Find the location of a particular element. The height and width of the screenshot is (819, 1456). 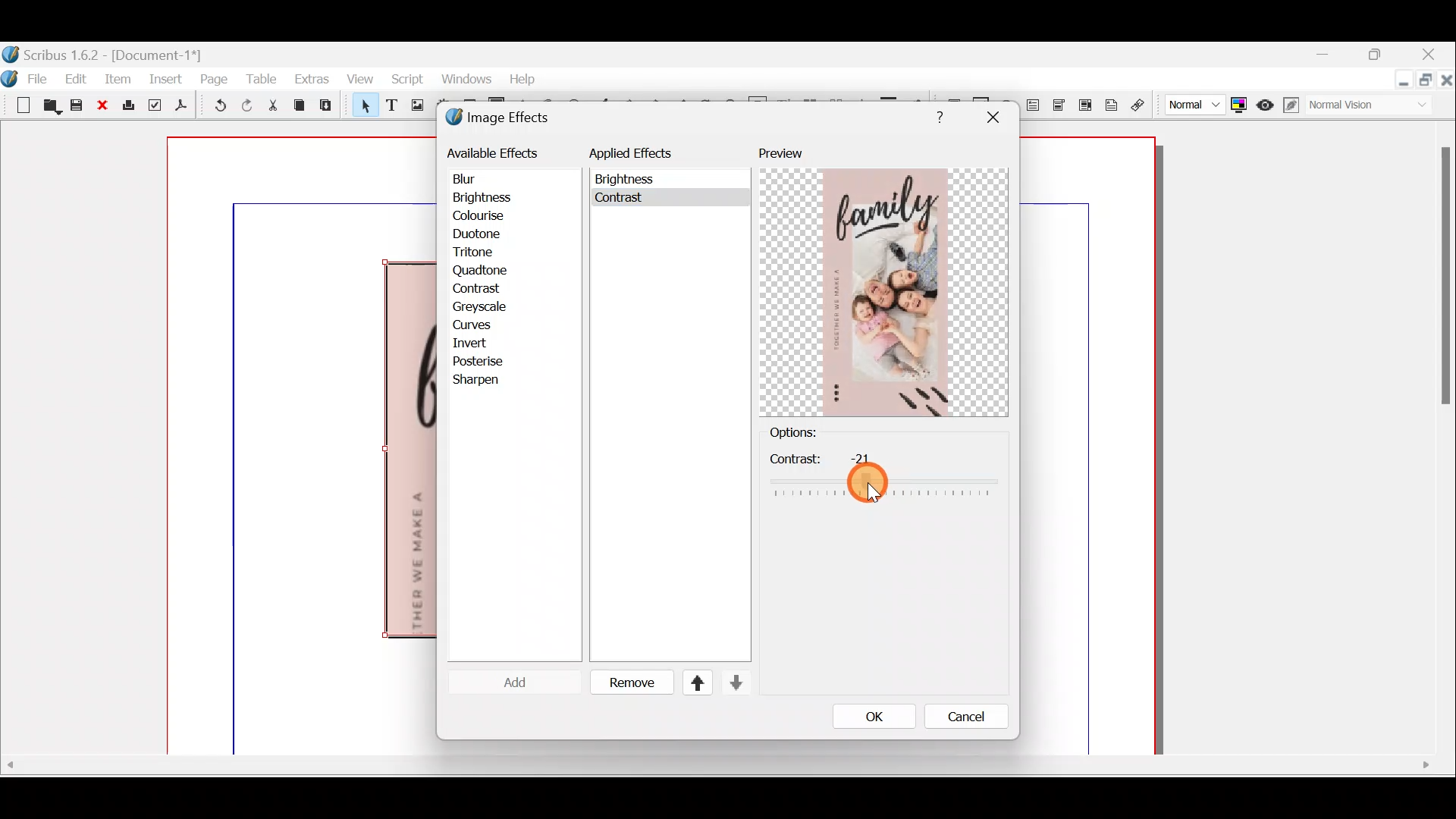

Text annotation is located at coordinates (1111, 103).